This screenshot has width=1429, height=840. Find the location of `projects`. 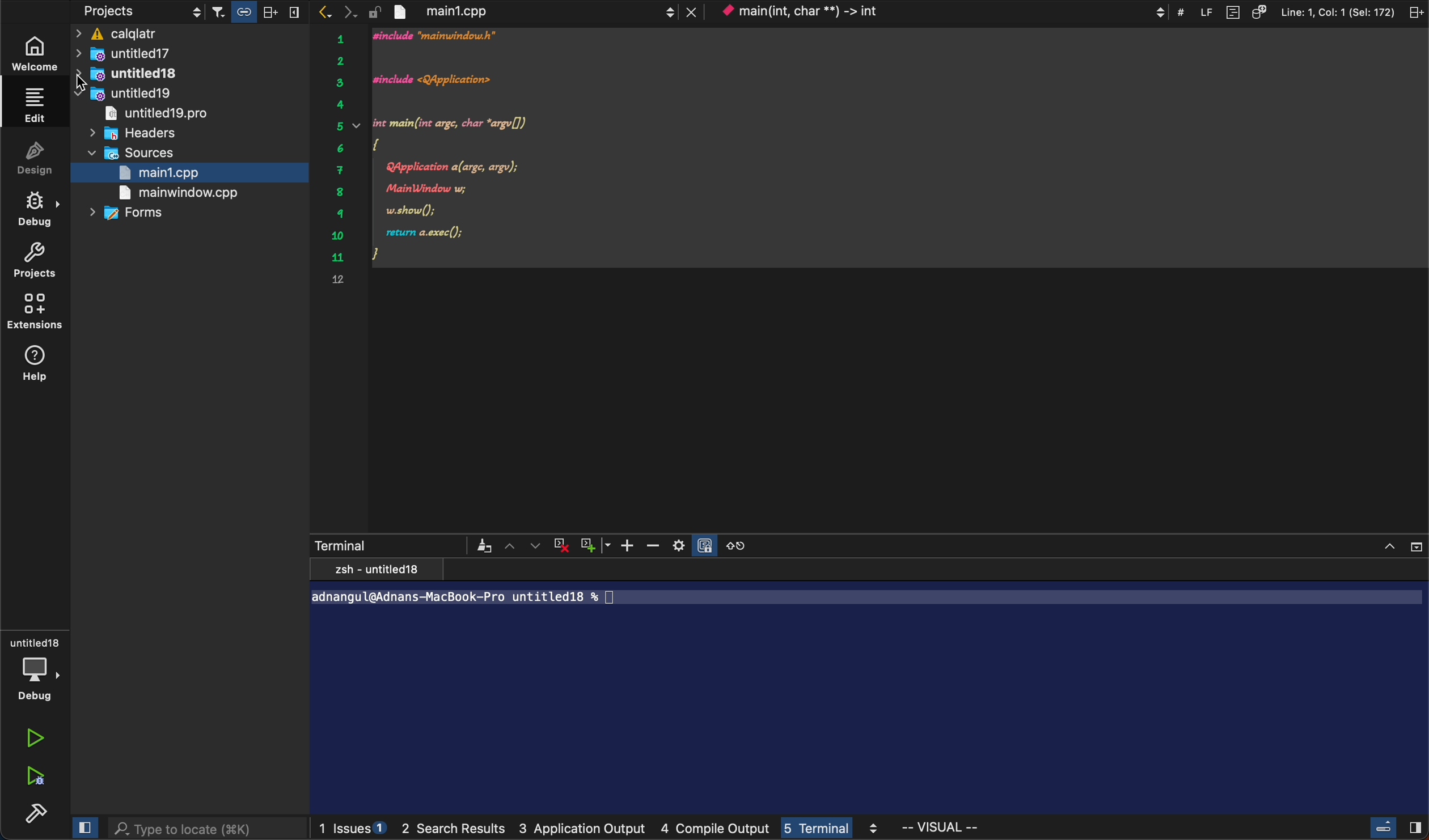

projects is located at coordinates (40, 262).